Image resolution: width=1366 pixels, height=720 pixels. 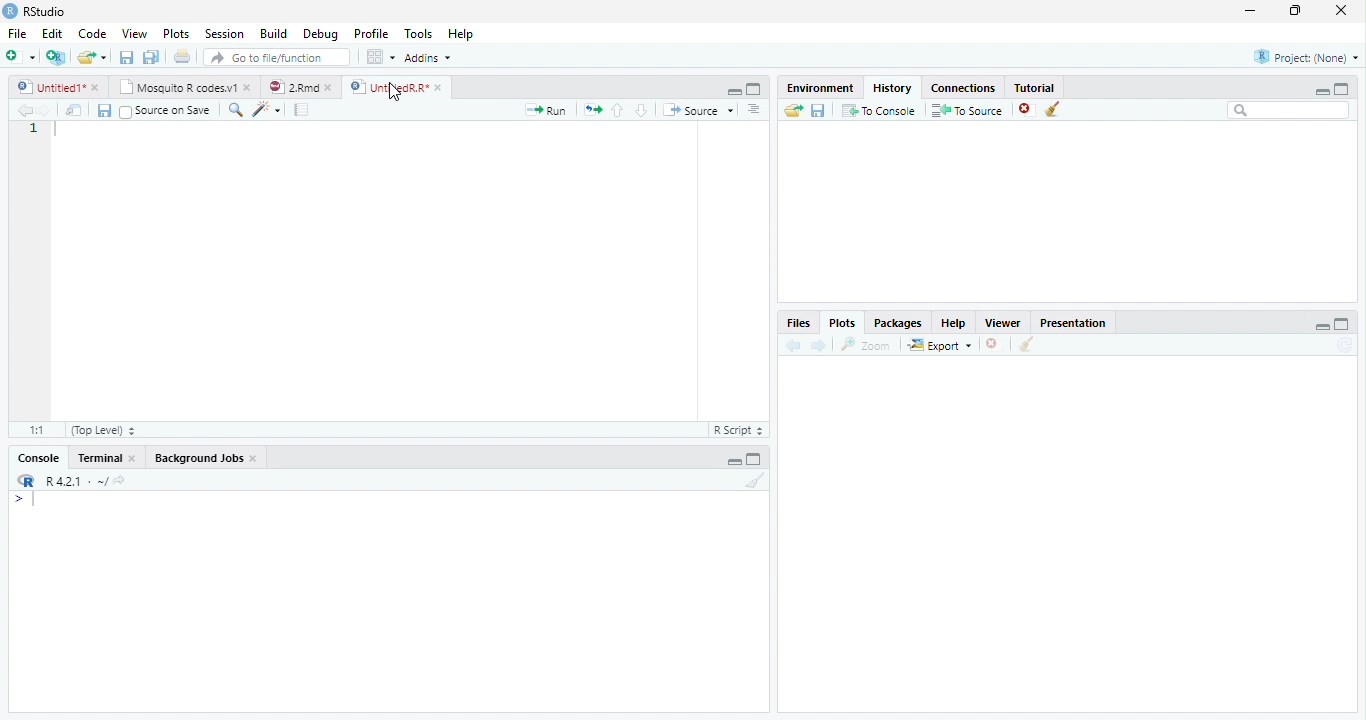 I want to click on Addins, so click(x=428, y=58).